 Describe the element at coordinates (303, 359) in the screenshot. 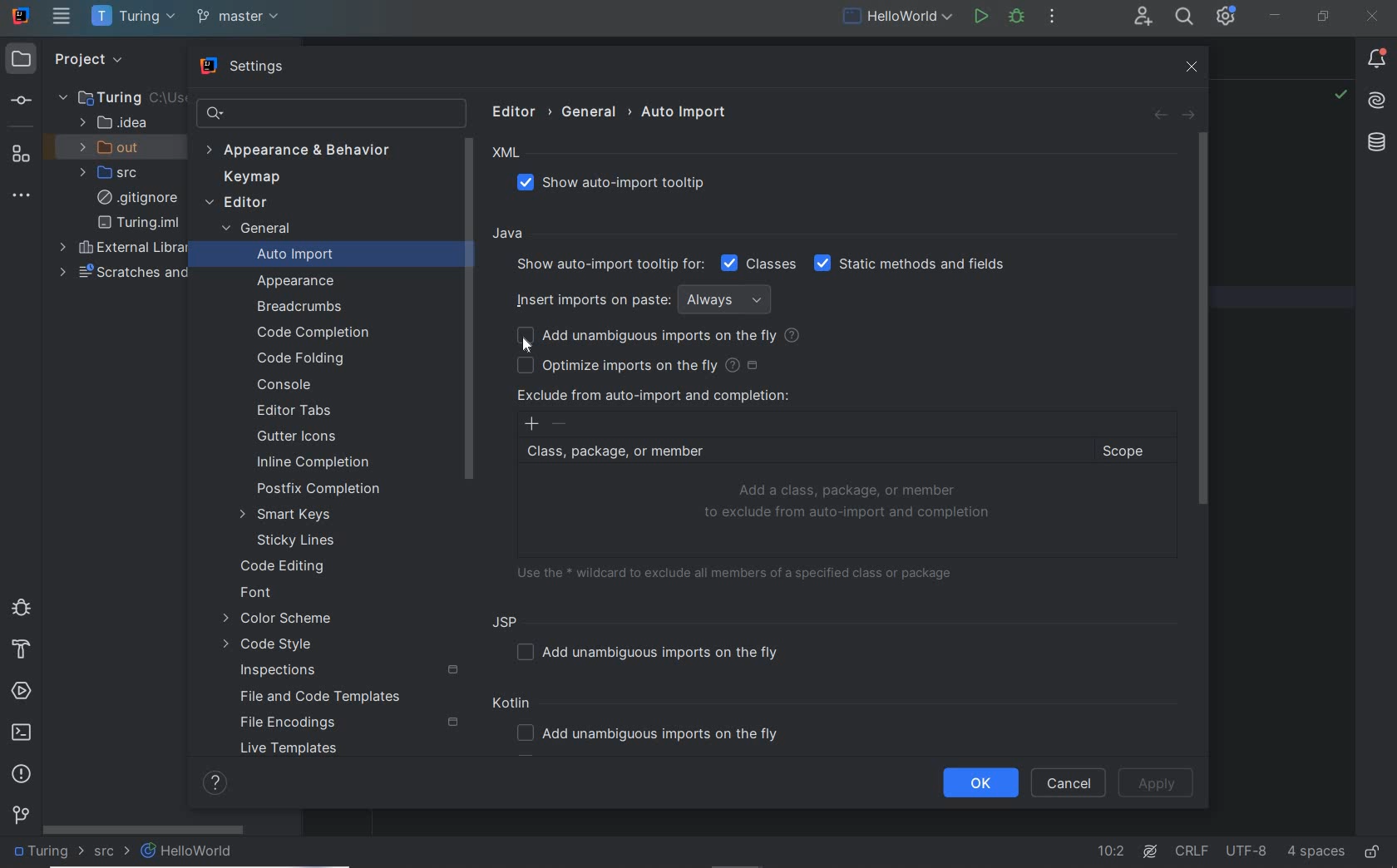

I see `CODE FOLDING` at that location.